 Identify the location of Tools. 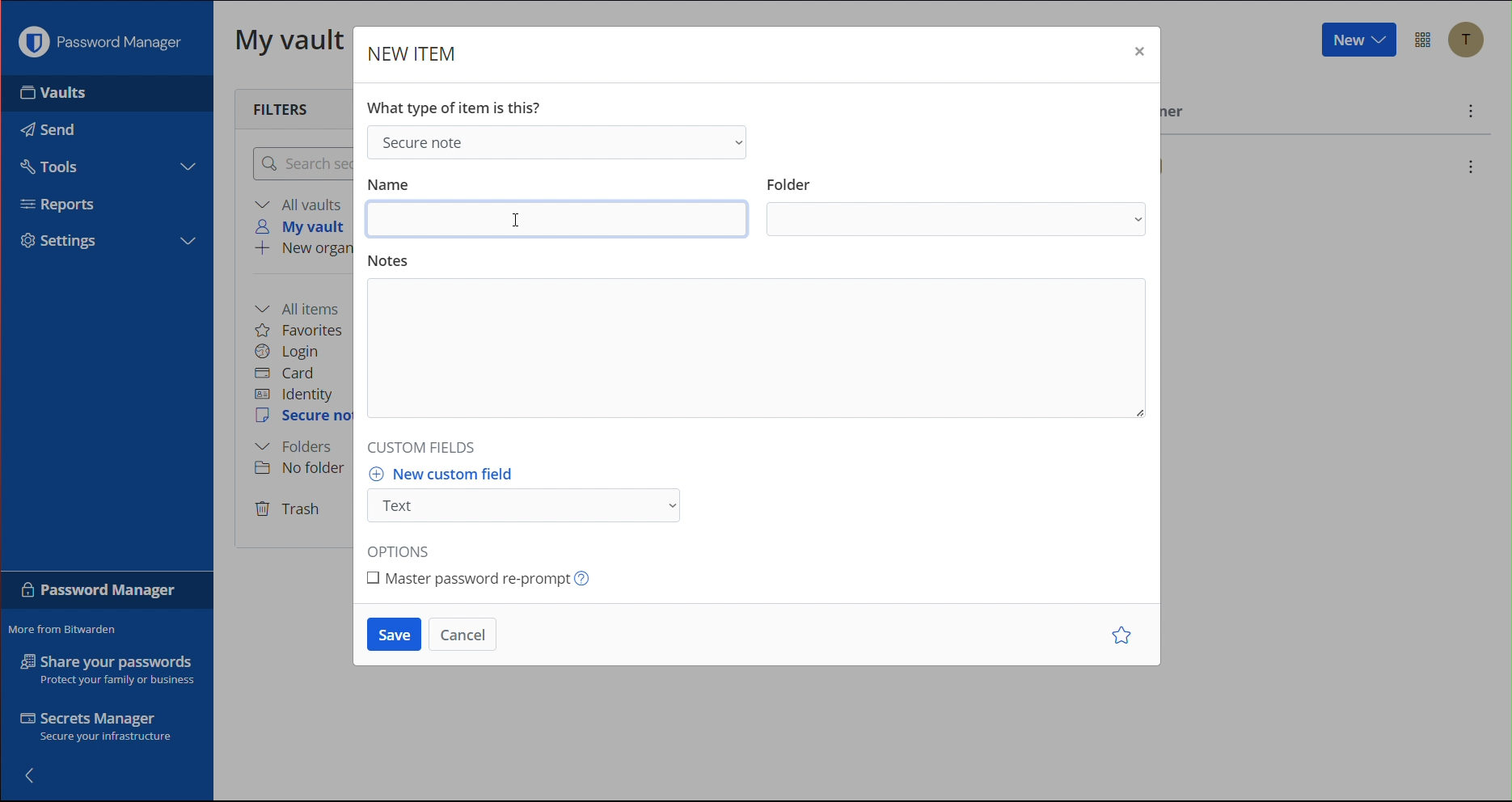
(47, 164).